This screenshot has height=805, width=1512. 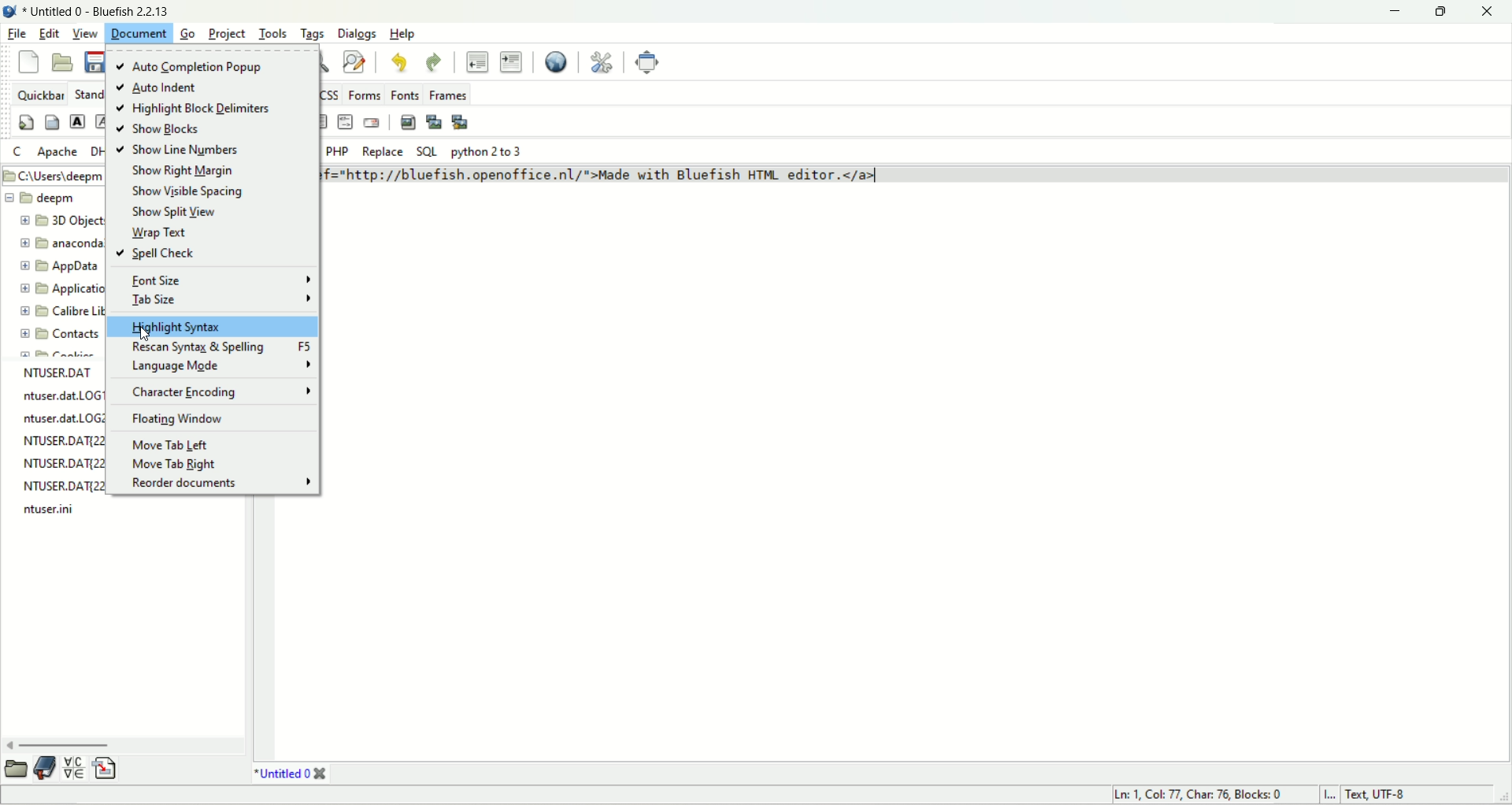 I want to click on text, so click(x=61, y=441).